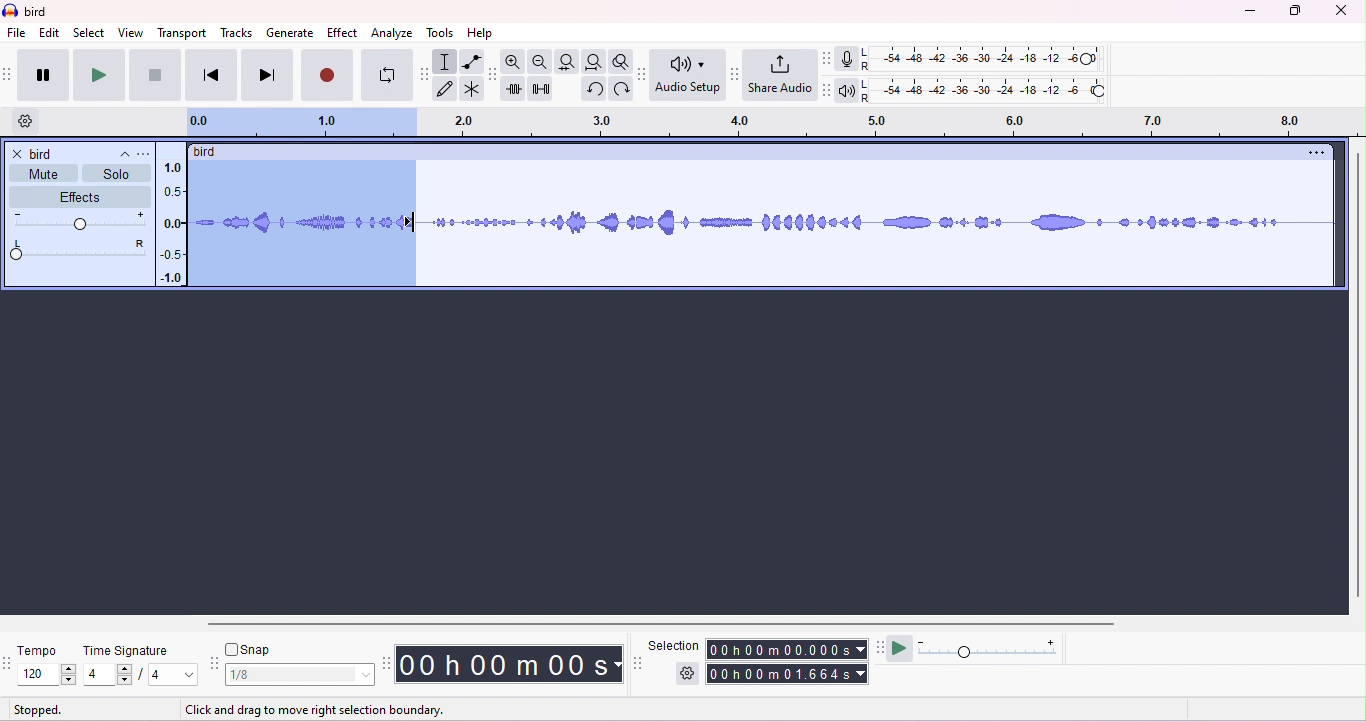 This screenshot has width=1366, height=722. What do you see at coordinates (413, 221) in the screenshot?
I see `cursor structure changed` at bounding box center [413, 221].